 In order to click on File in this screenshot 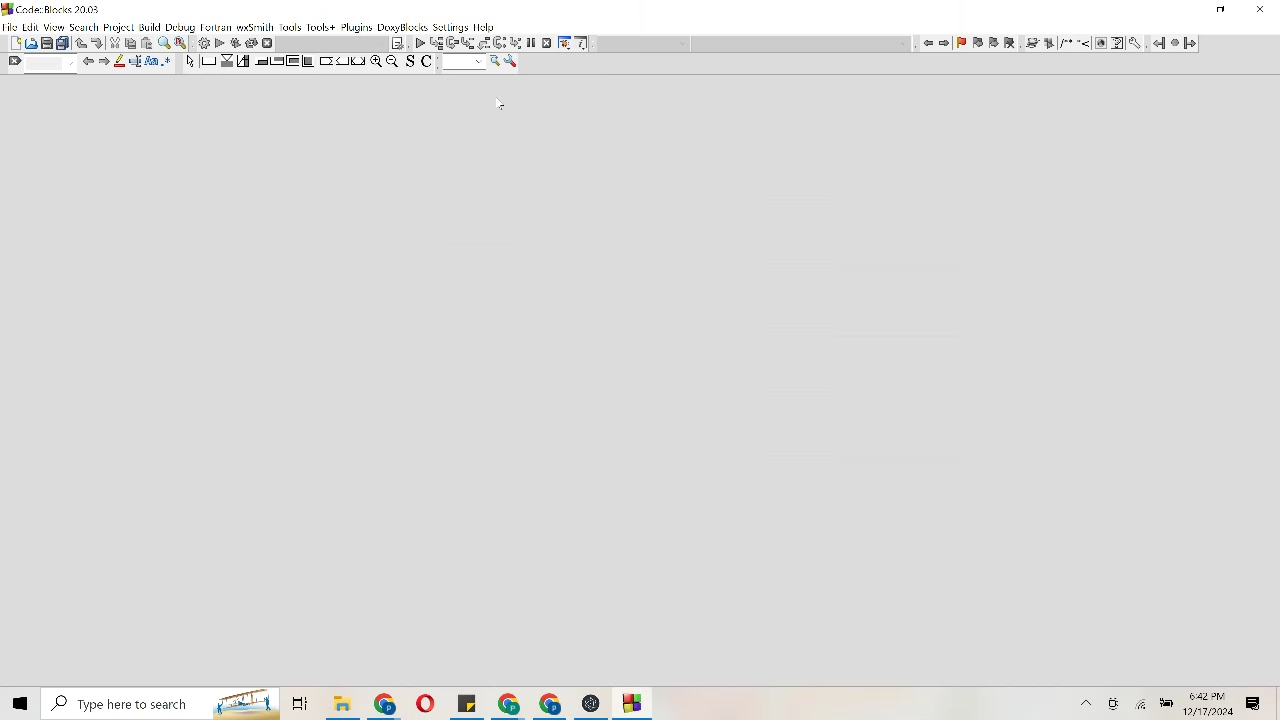, I will do `click(508, 703)`.